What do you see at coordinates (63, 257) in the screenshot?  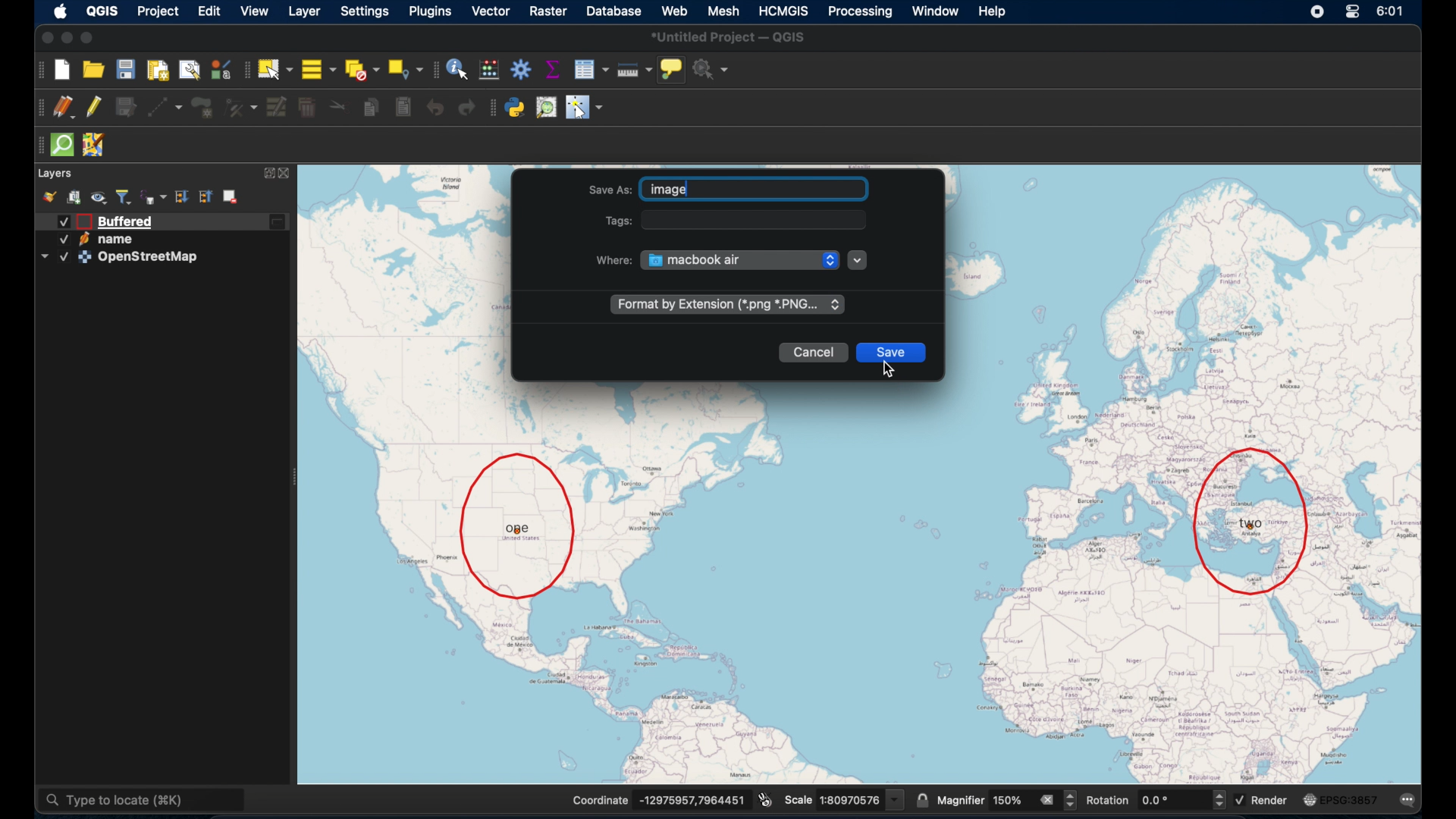 I see `Checked checkbox` at bounding box center [63, 257].